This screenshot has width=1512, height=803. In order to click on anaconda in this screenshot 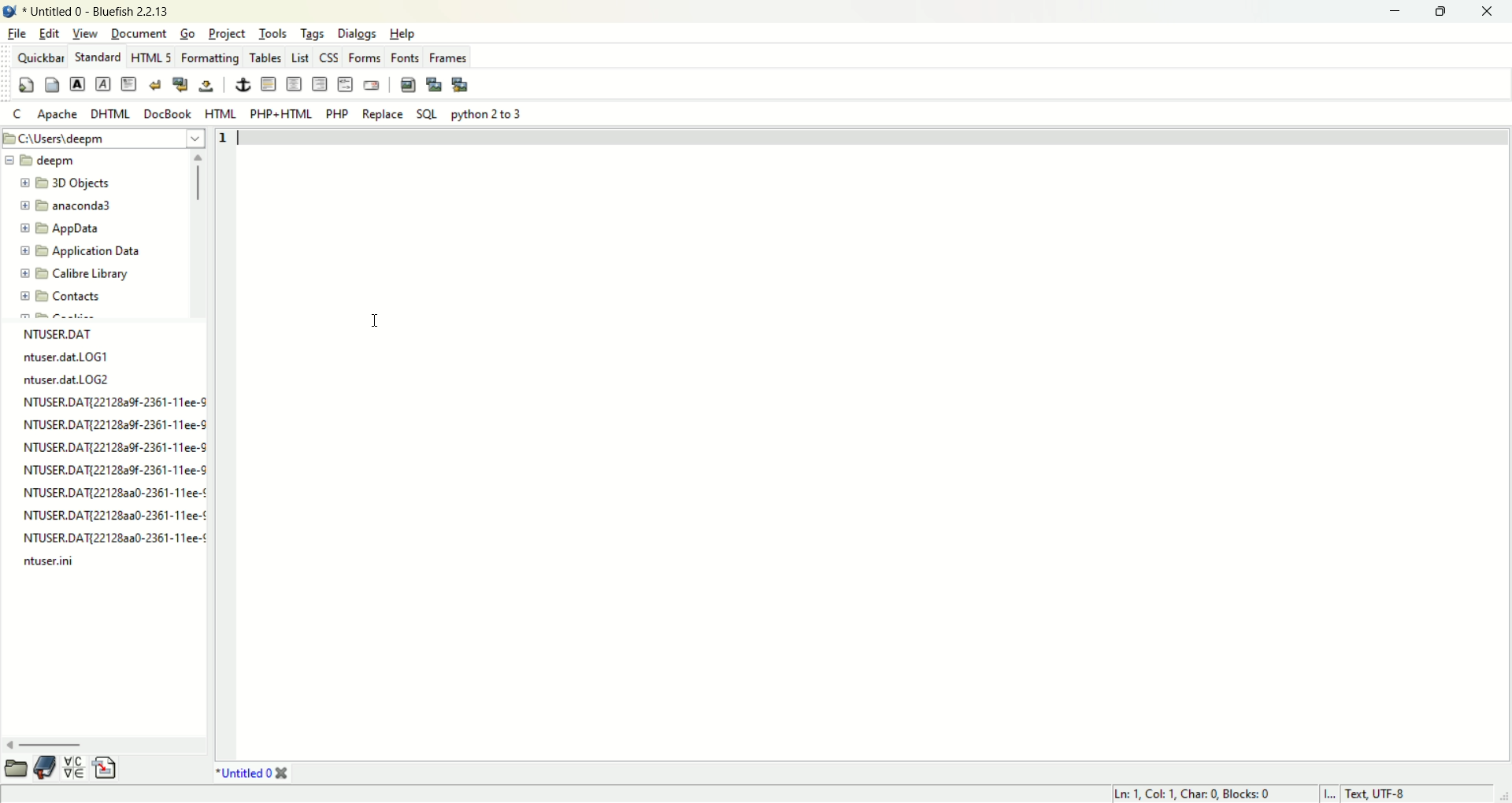, I will do `click(69, 206)`.